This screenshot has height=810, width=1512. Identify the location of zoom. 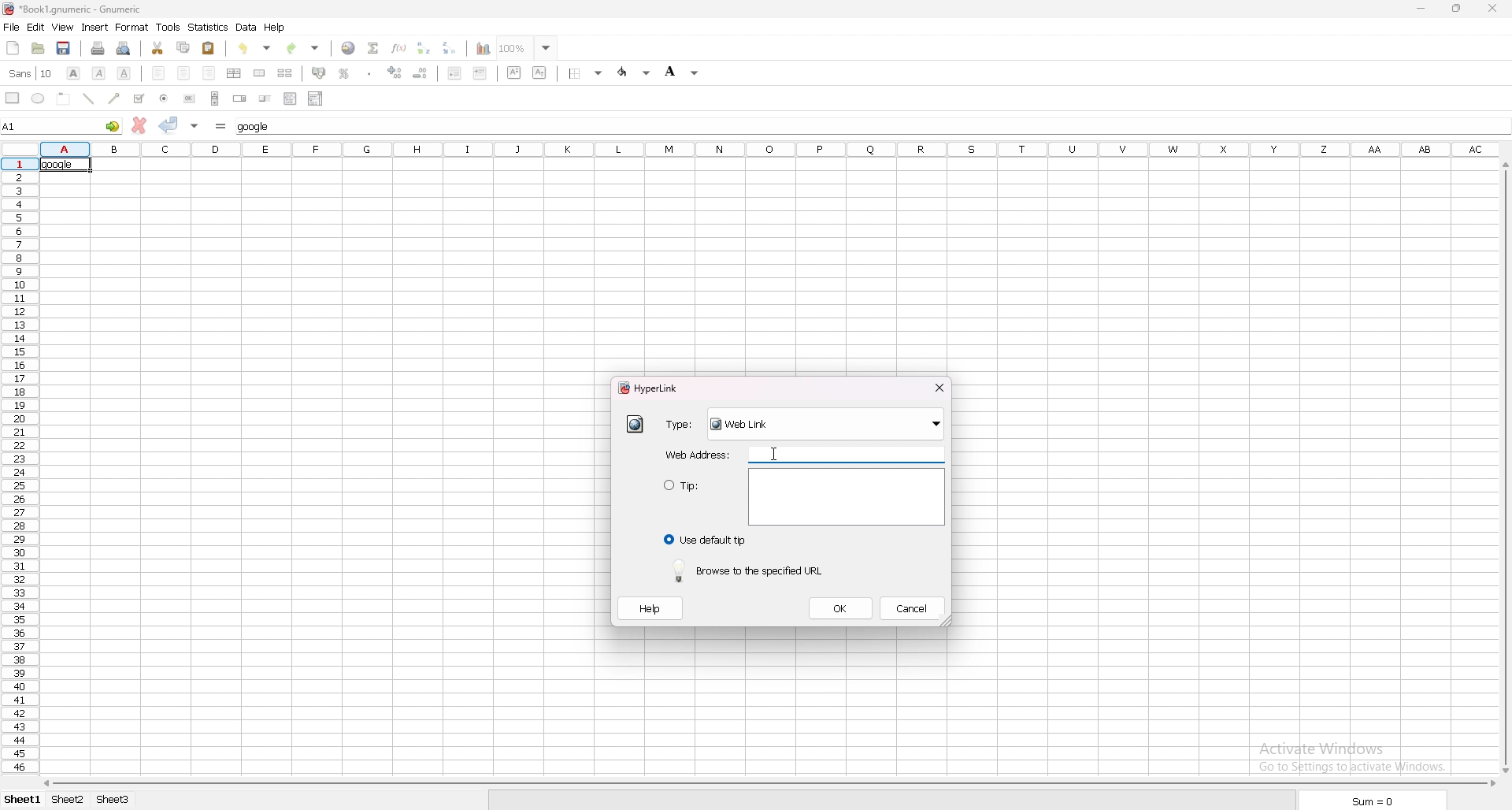
(528, 47).